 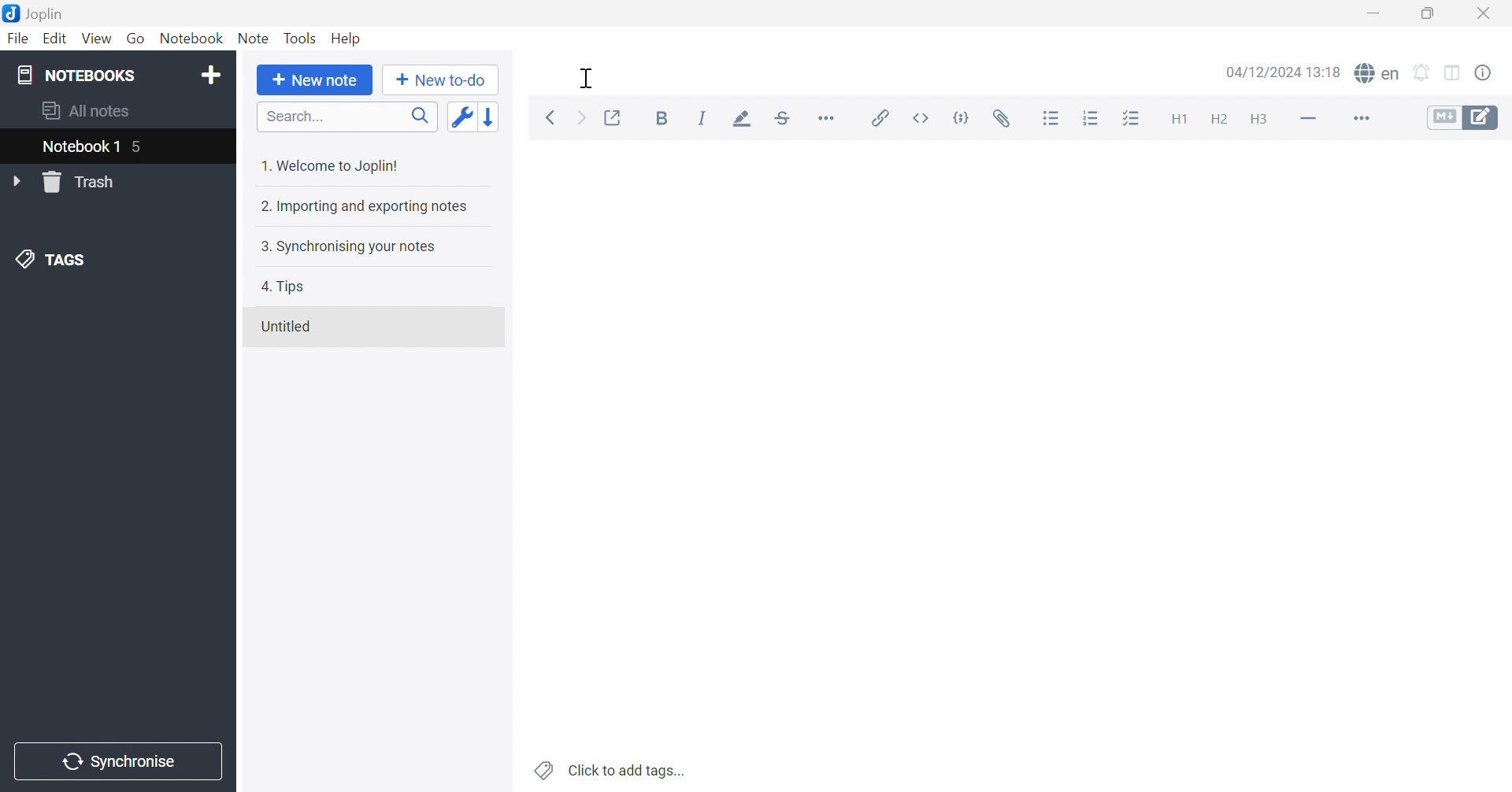 What do you see at coordinates (135, 39) in the screenshot?
I see `Go` at bounding box center [135, 39].